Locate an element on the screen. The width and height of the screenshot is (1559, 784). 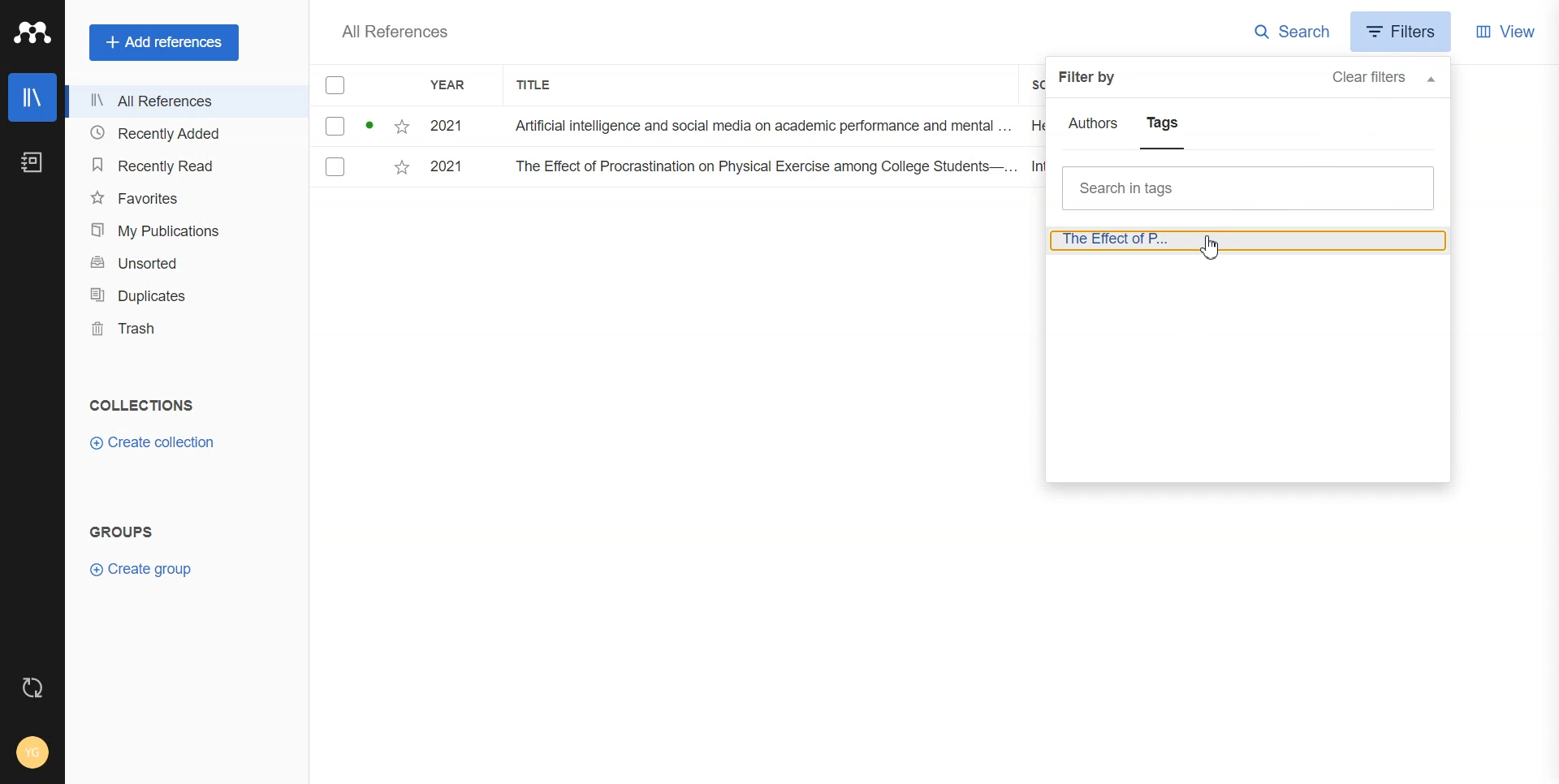
Starred is located at coordinates (404, 126).